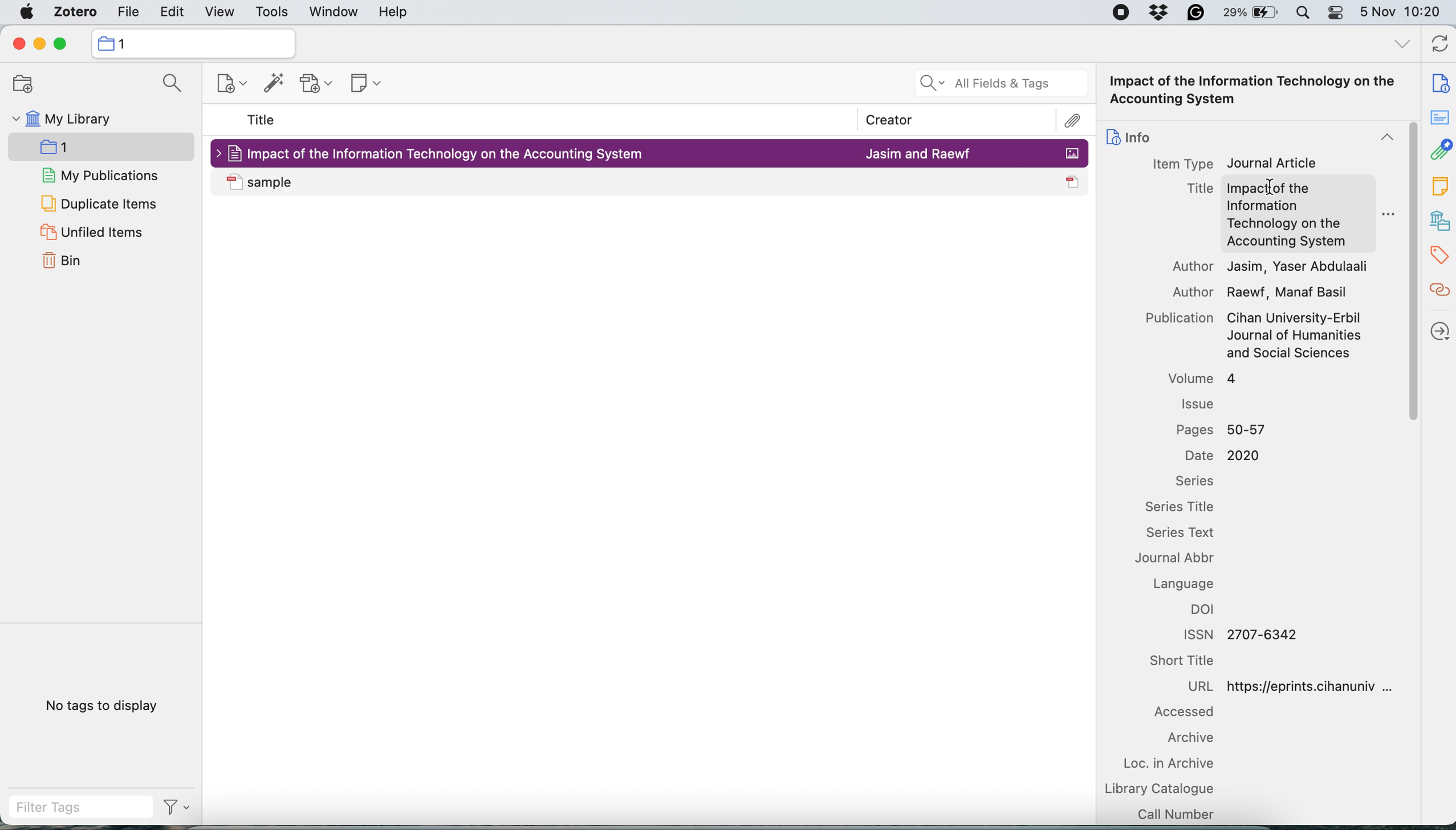 This screenshot has width=1456, height=830. What do you see at coordinates (1296, 336) in the screenshot?
I see `Cihan University-Erbil Journal of Humanities and Social Sciences` at bounding box center [1296, 336].